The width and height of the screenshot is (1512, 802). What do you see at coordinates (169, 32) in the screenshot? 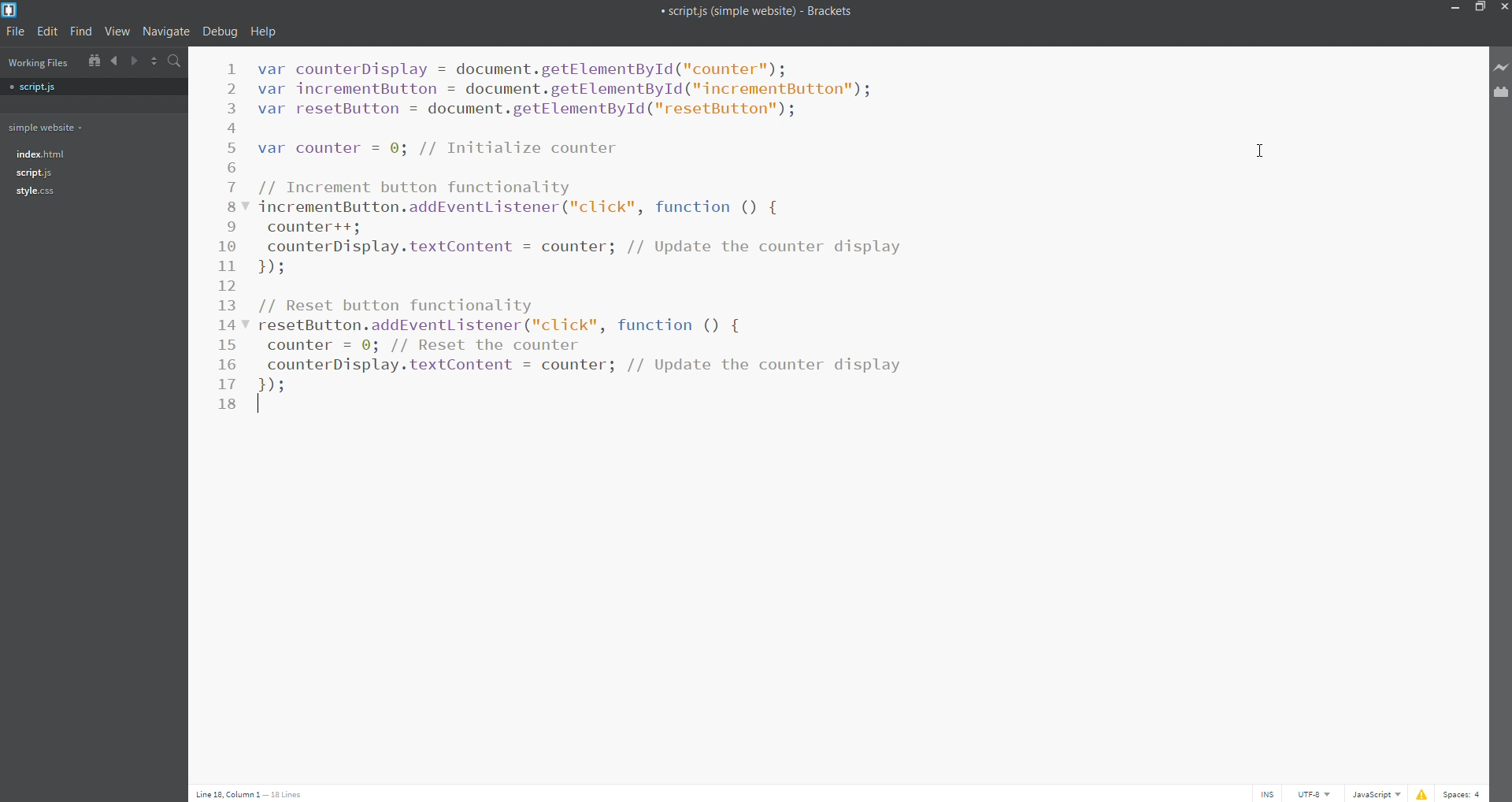
I see `navigate` at bounding box center [169, 32].